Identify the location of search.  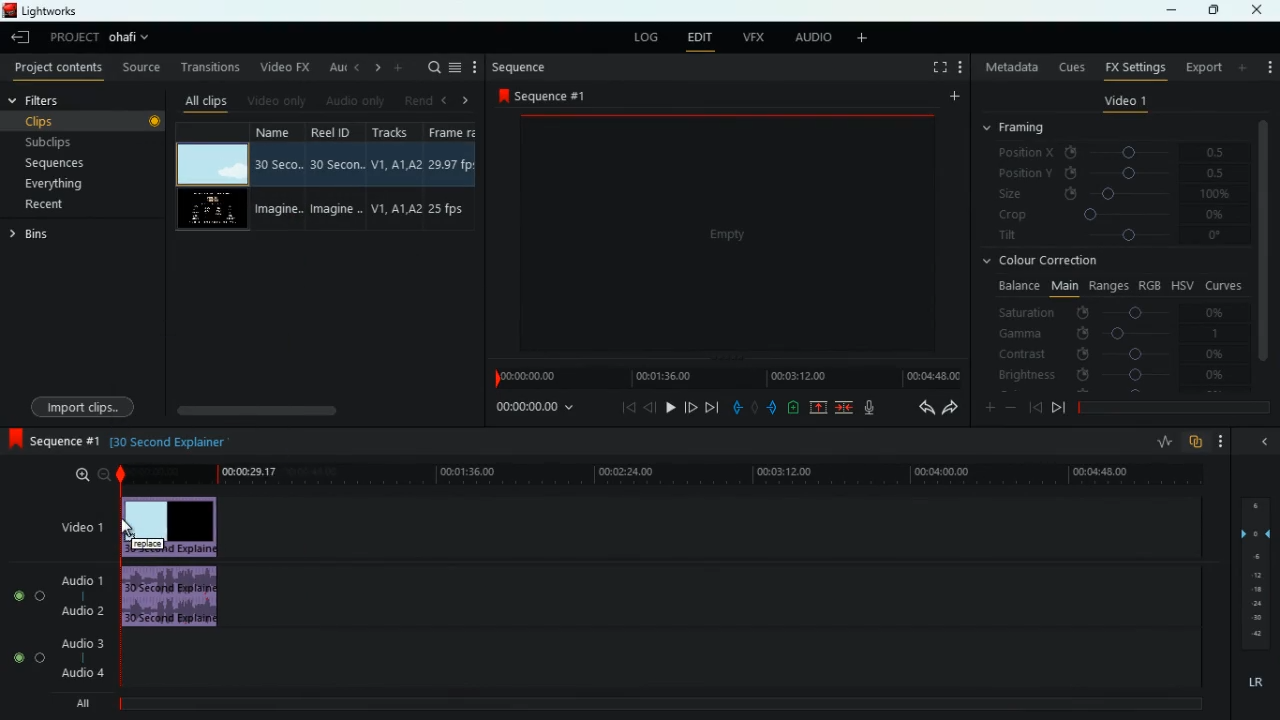
(429, 66).